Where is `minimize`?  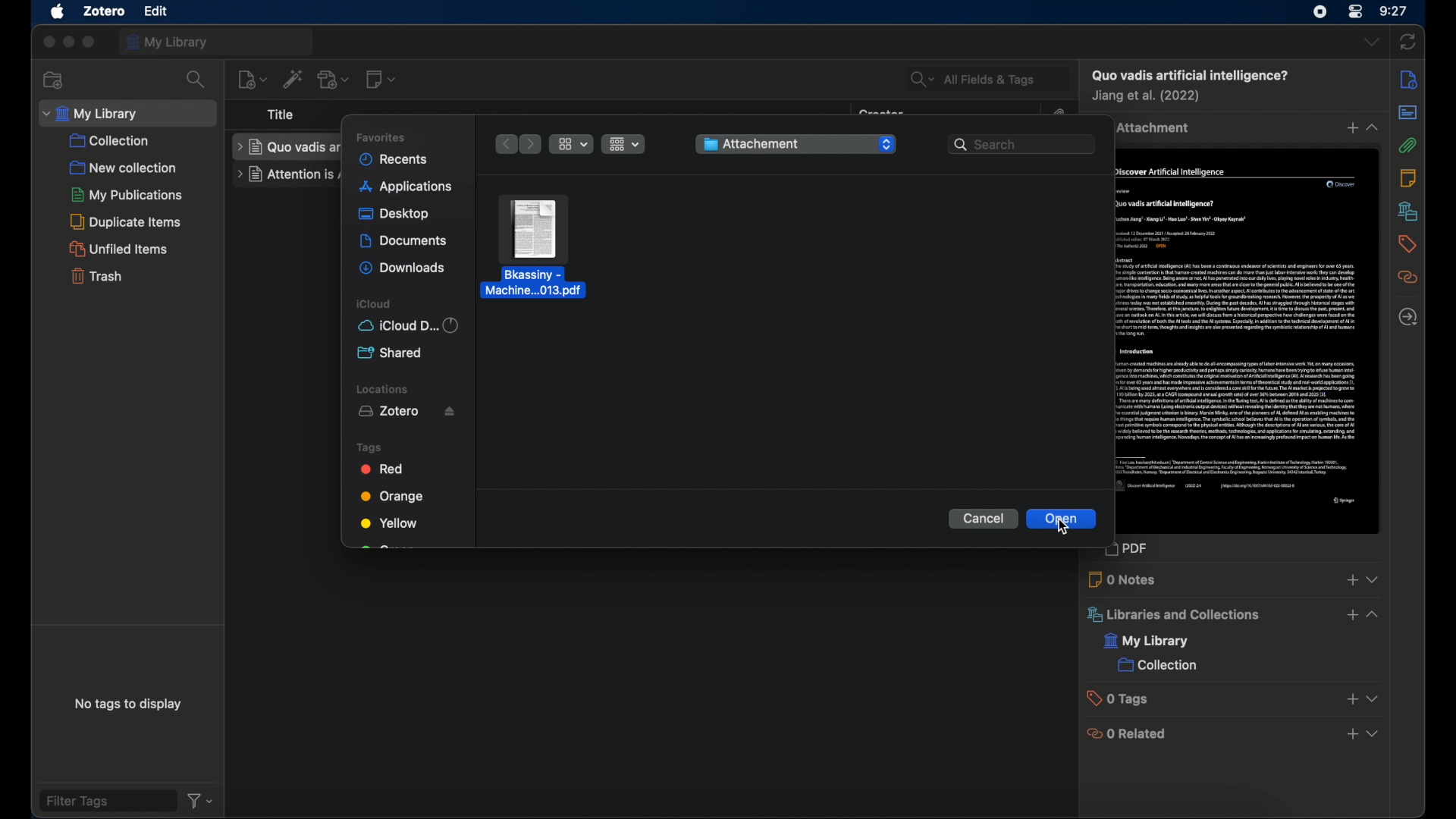 minimize is located at coordinates (69, 42).